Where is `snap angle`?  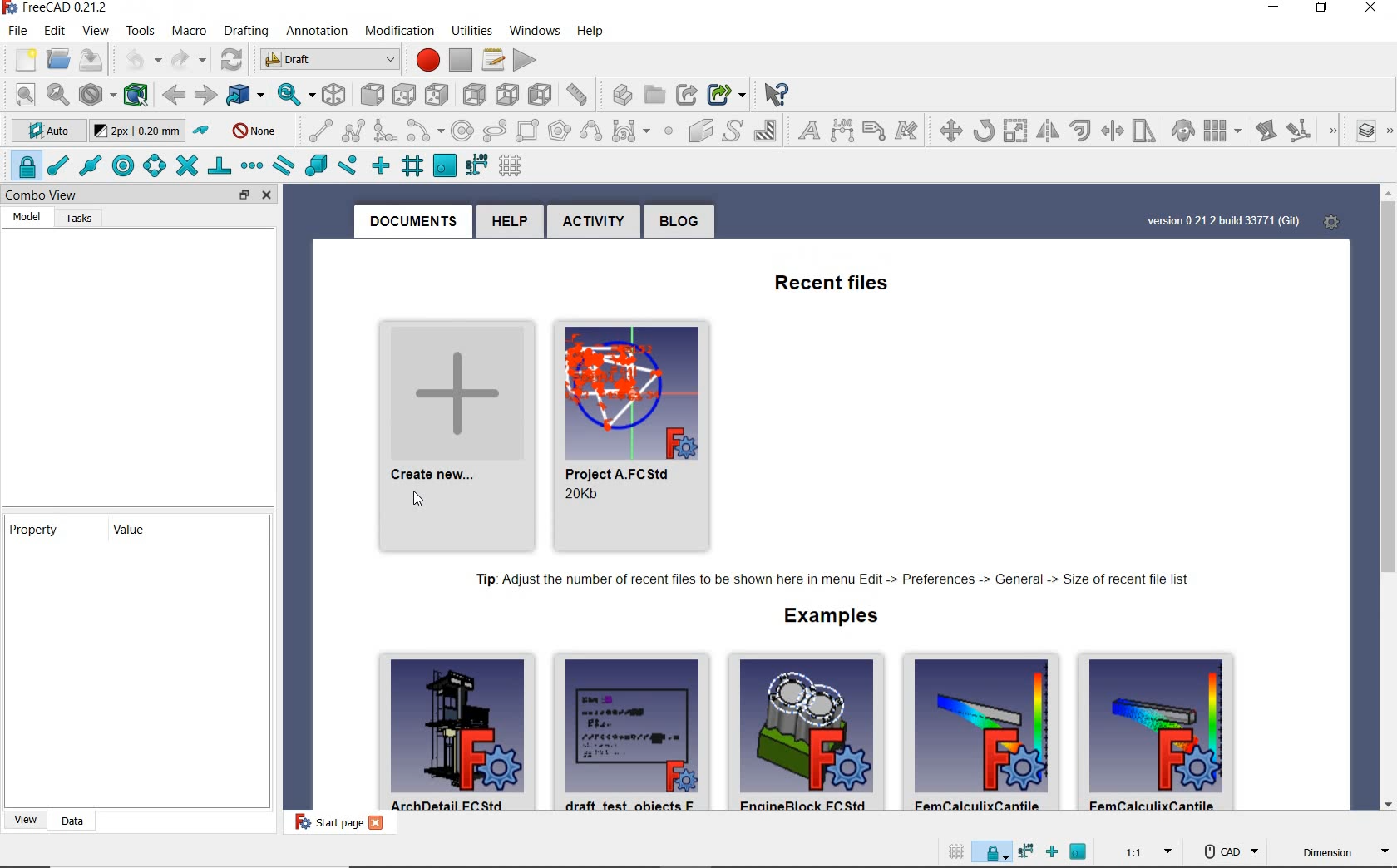
snap angle is located at coordinates (155, 165).